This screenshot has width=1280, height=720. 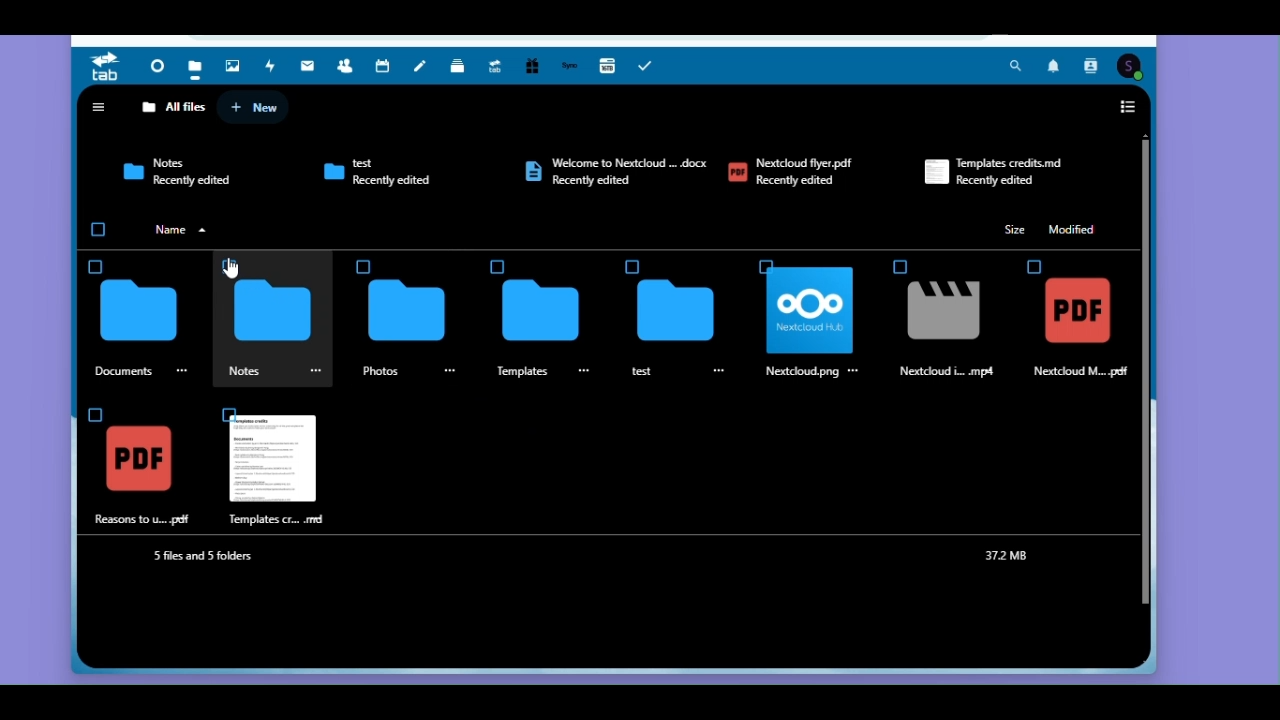 What do you see at coordinates (1133, 66) in the screenshot?
I see `Account icon` at bounding box center [1133, 66].